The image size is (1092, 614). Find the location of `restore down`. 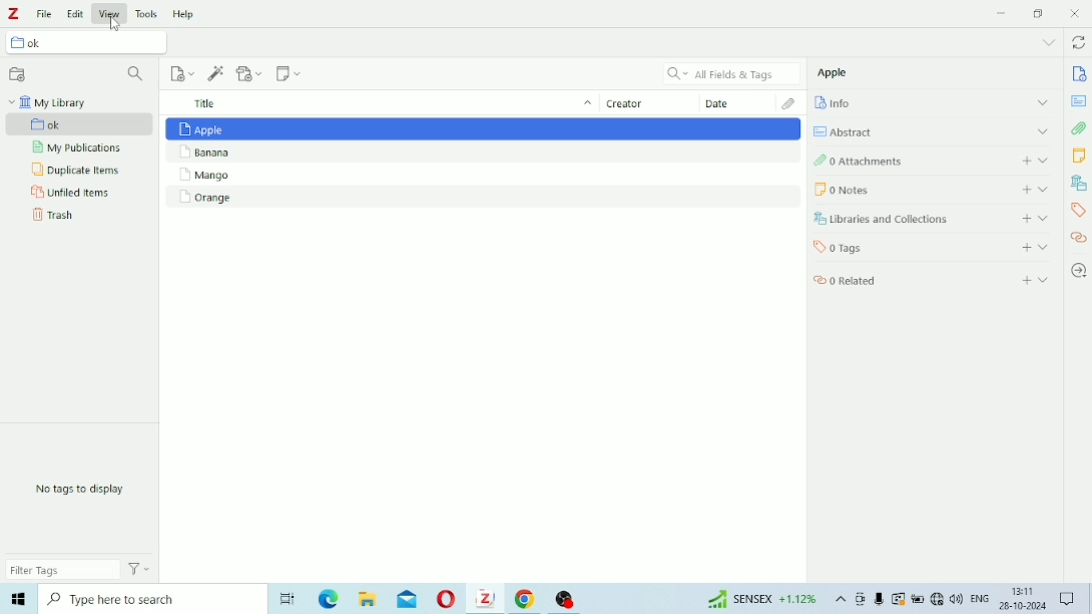

restore down is located at coordinates (1040, 13).